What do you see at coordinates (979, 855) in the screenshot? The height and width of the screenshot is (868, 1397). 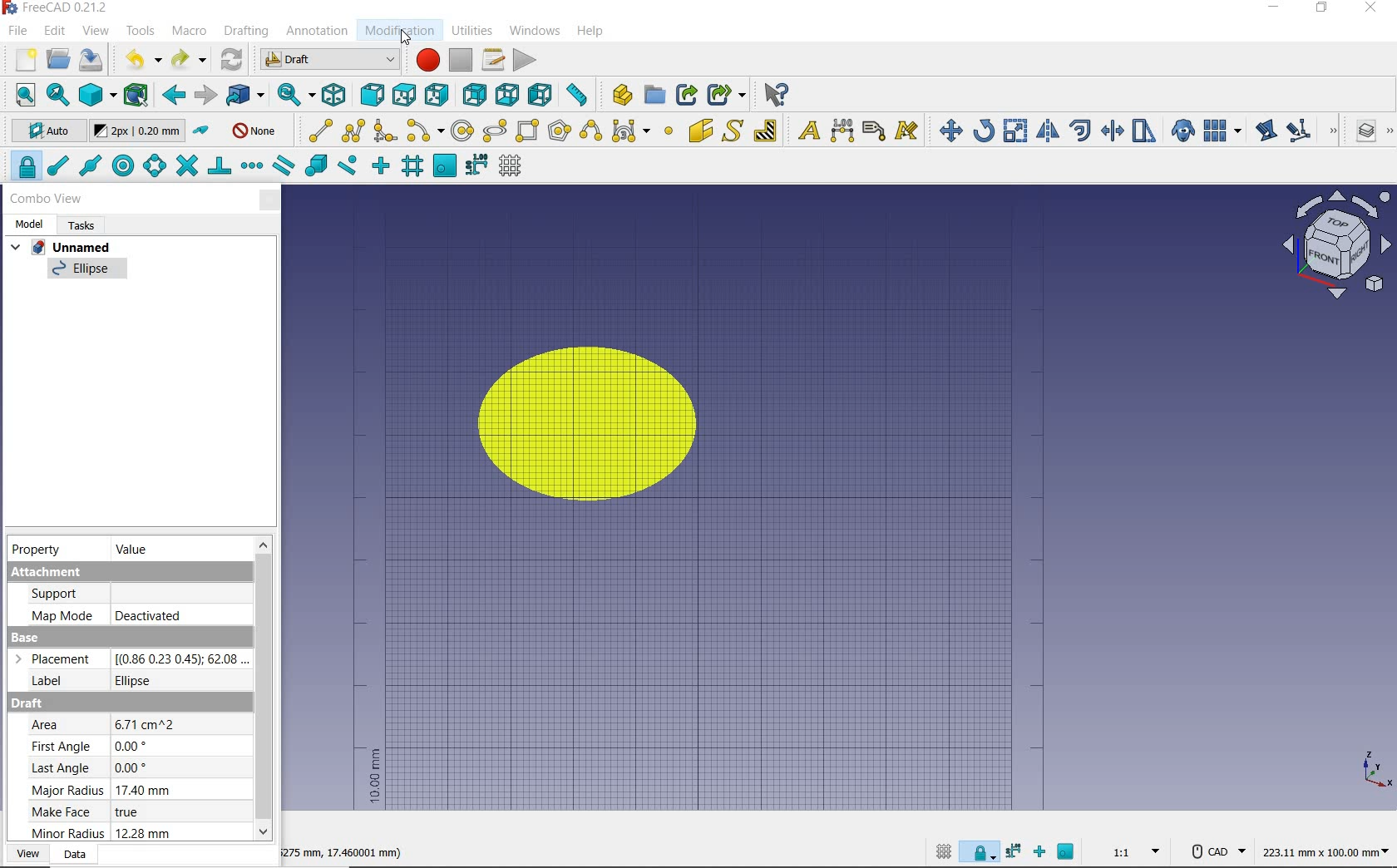 I see `snap lock` at bounding box center [979, 855].